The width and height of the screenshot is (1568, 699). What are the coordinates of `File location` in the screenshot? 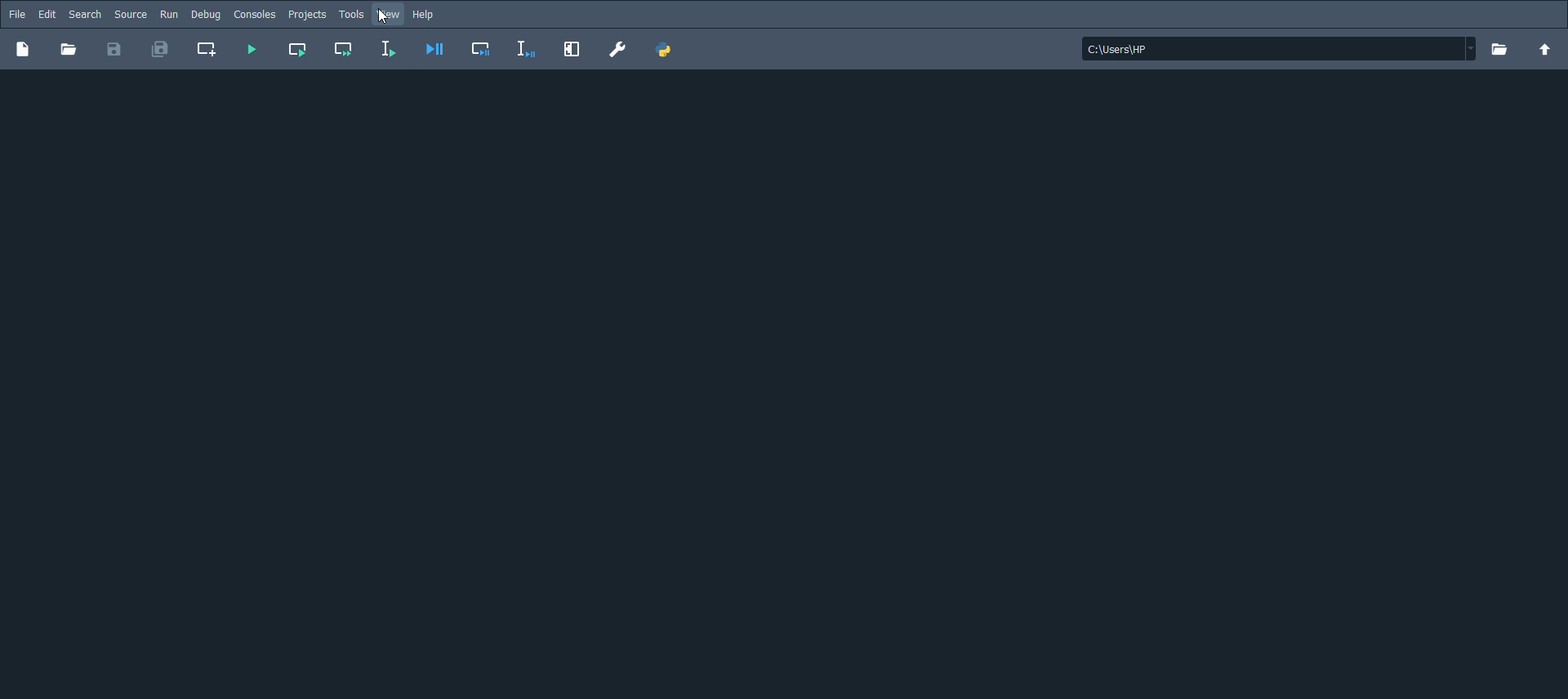 It's located at (1276, 48).